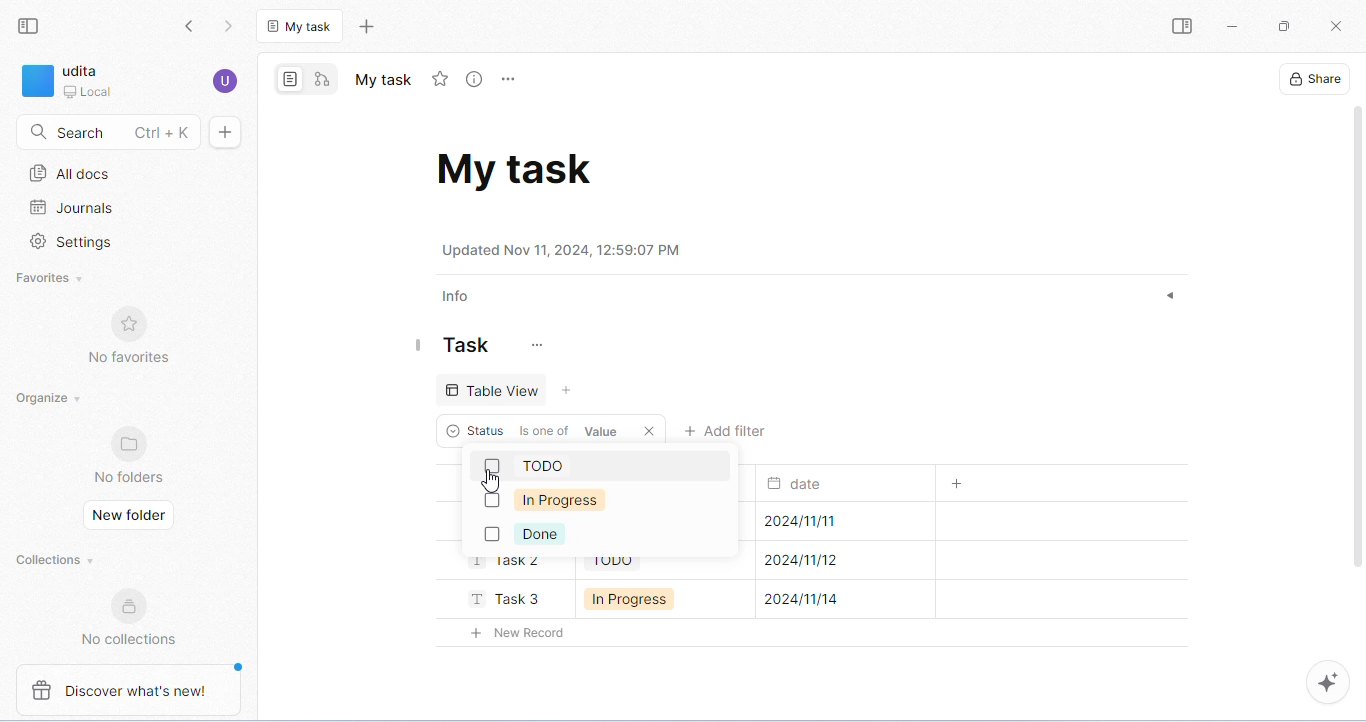 This screenshot has height=722, width=1366. I want to click on dragging line, so click(419, 343).